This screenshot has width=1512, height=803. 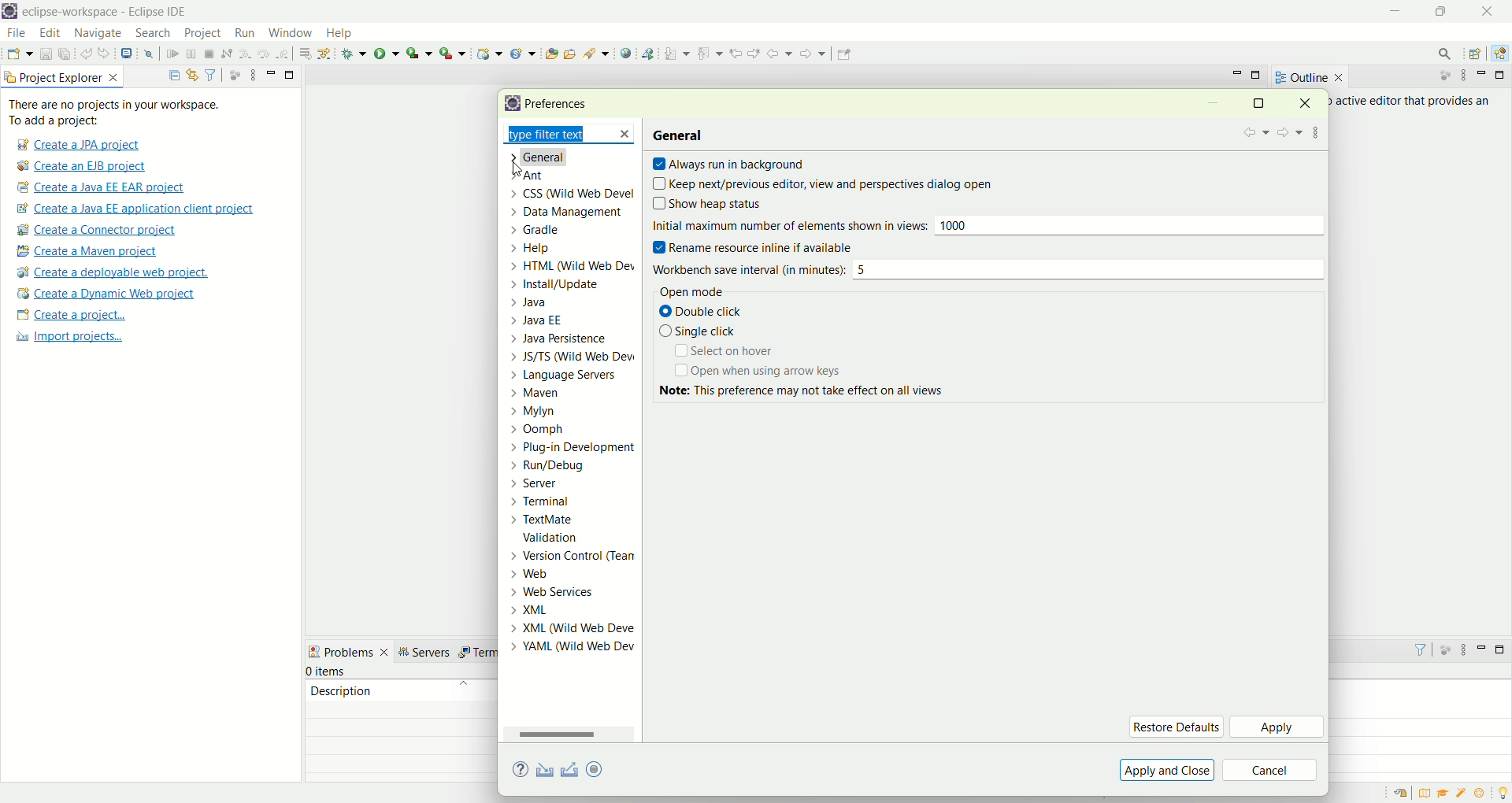 I want to click on apply, so click(x=1278, y=728).